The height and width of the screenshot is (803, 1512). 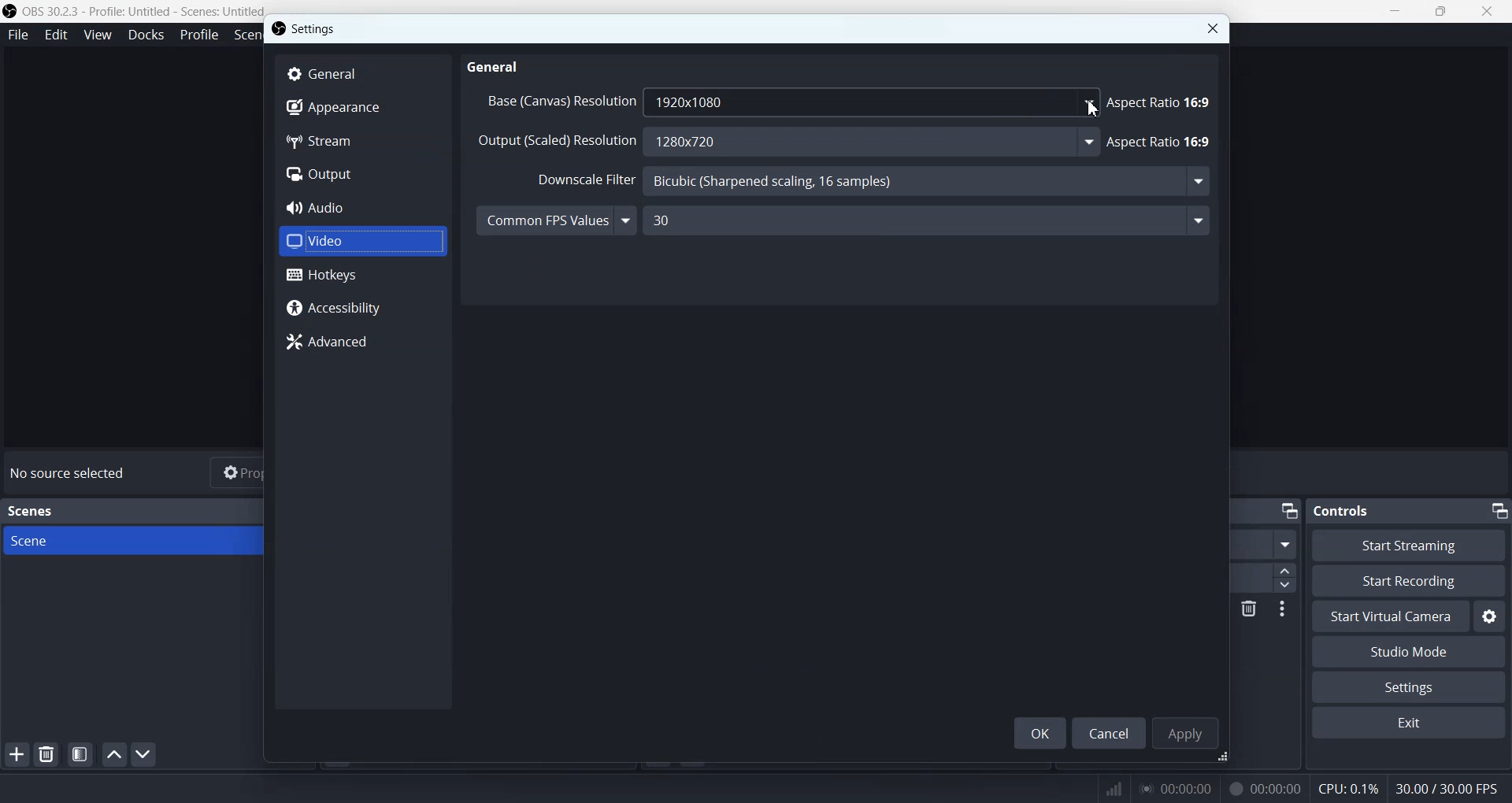 What do you see at coordinates (80, 754) in the screenshot?
I see `Open scene filter` at bounding box center [80, 754].